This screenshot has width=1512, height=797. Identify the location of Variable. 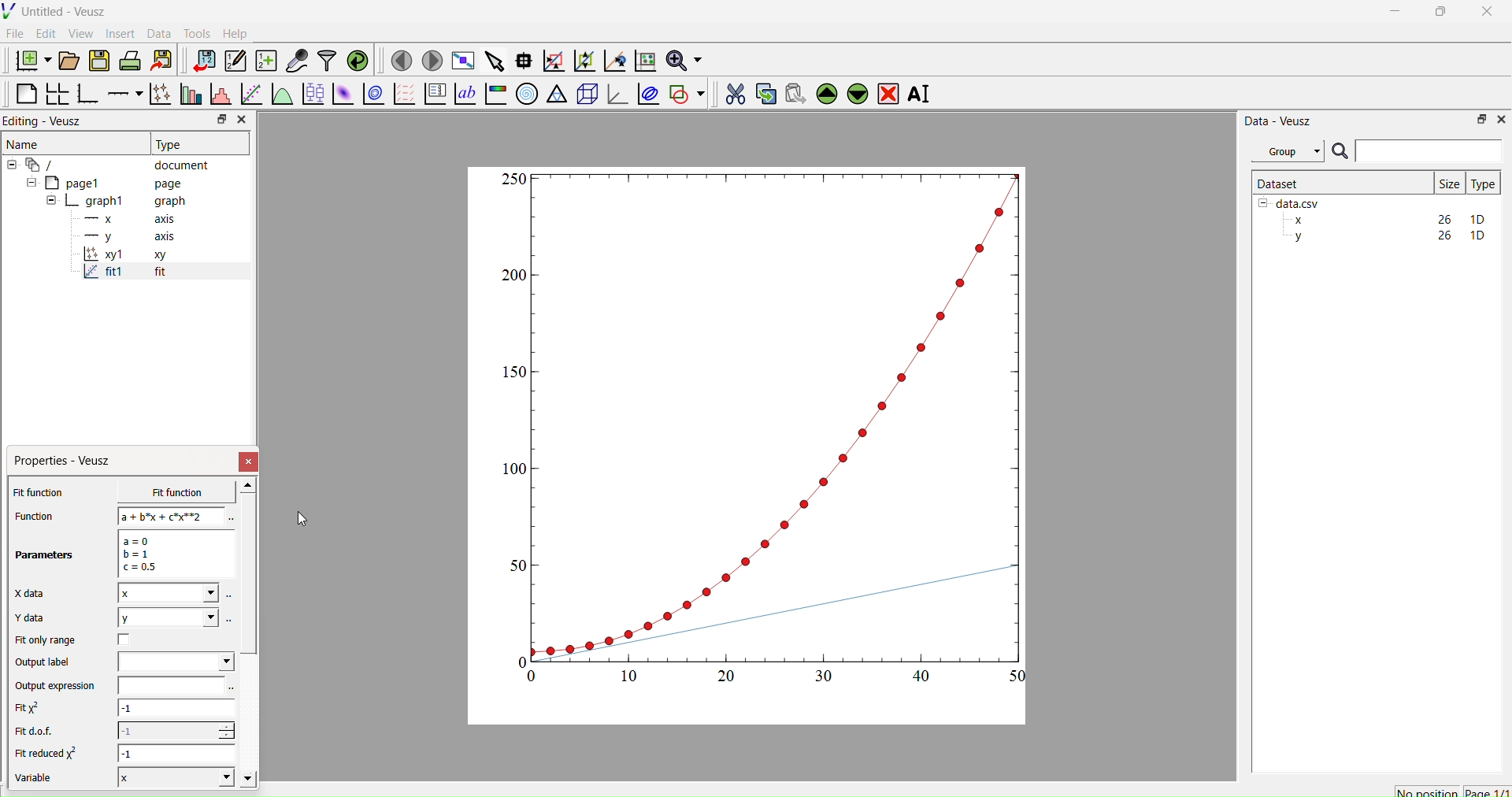
(41, 780).